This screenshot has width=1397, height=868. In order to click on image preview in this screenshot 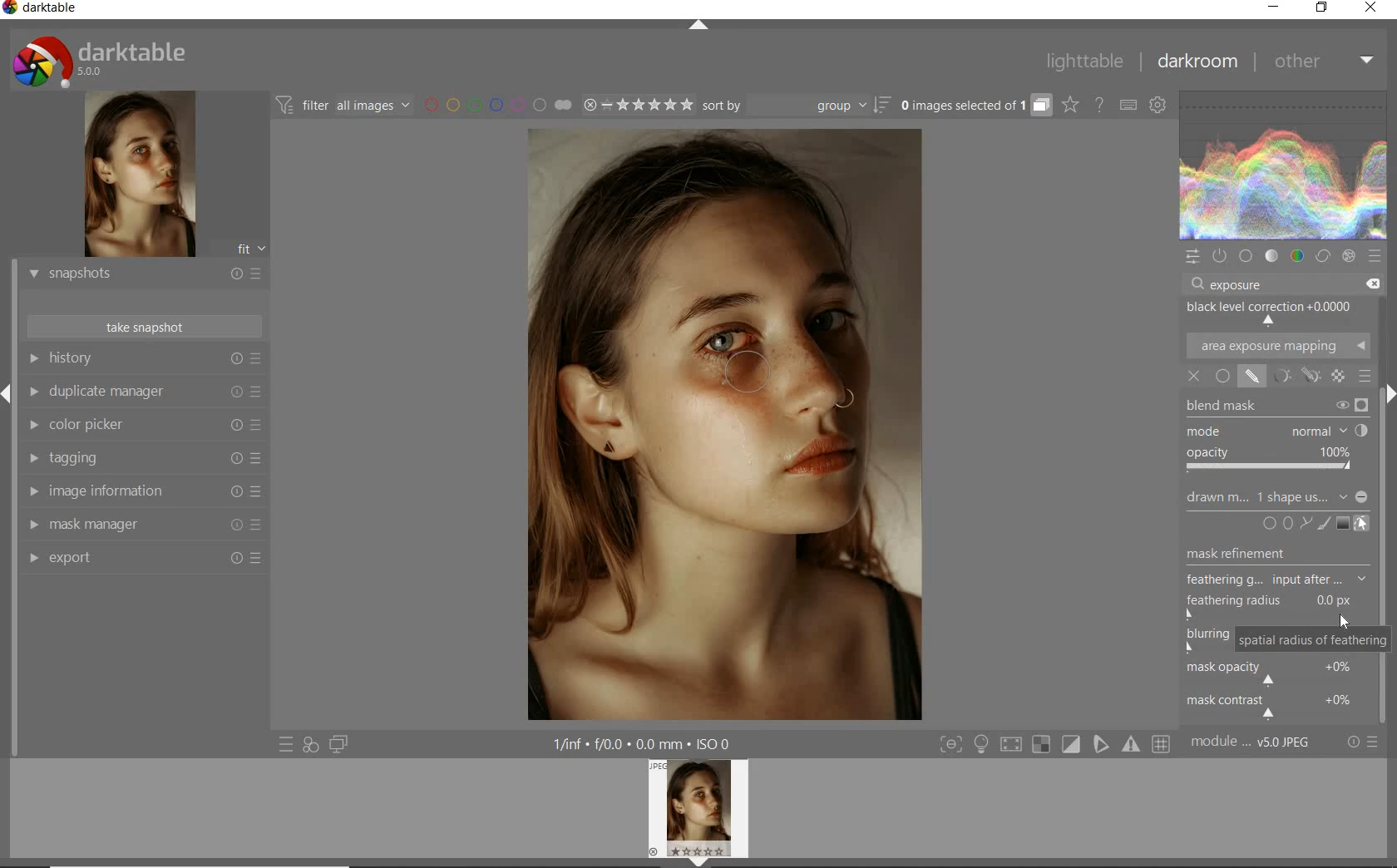, I will do `click(132, 175)`.